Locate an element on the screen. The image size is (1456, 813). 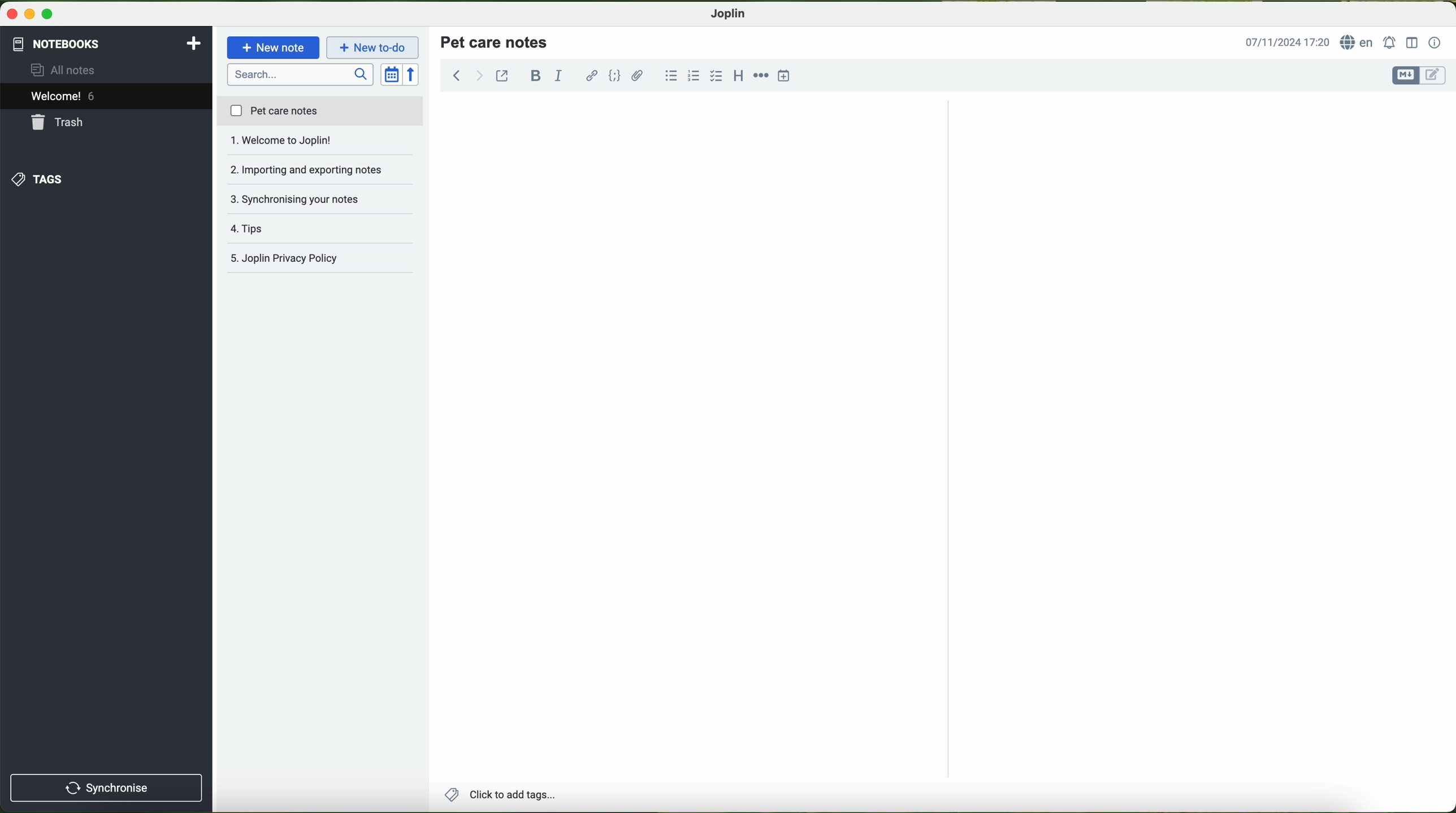
tags is located at coordinates (36, 179).